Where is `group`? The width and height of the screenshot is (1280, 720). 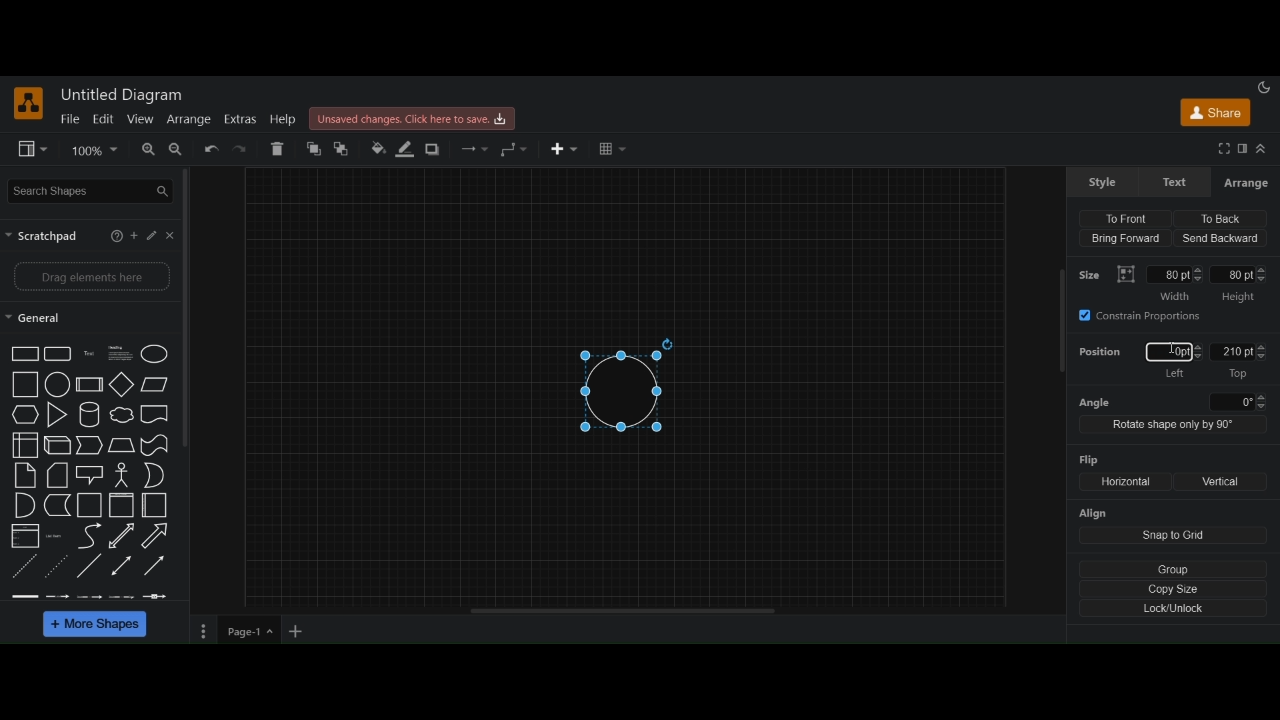
group is located at coordinates (1175, 569).